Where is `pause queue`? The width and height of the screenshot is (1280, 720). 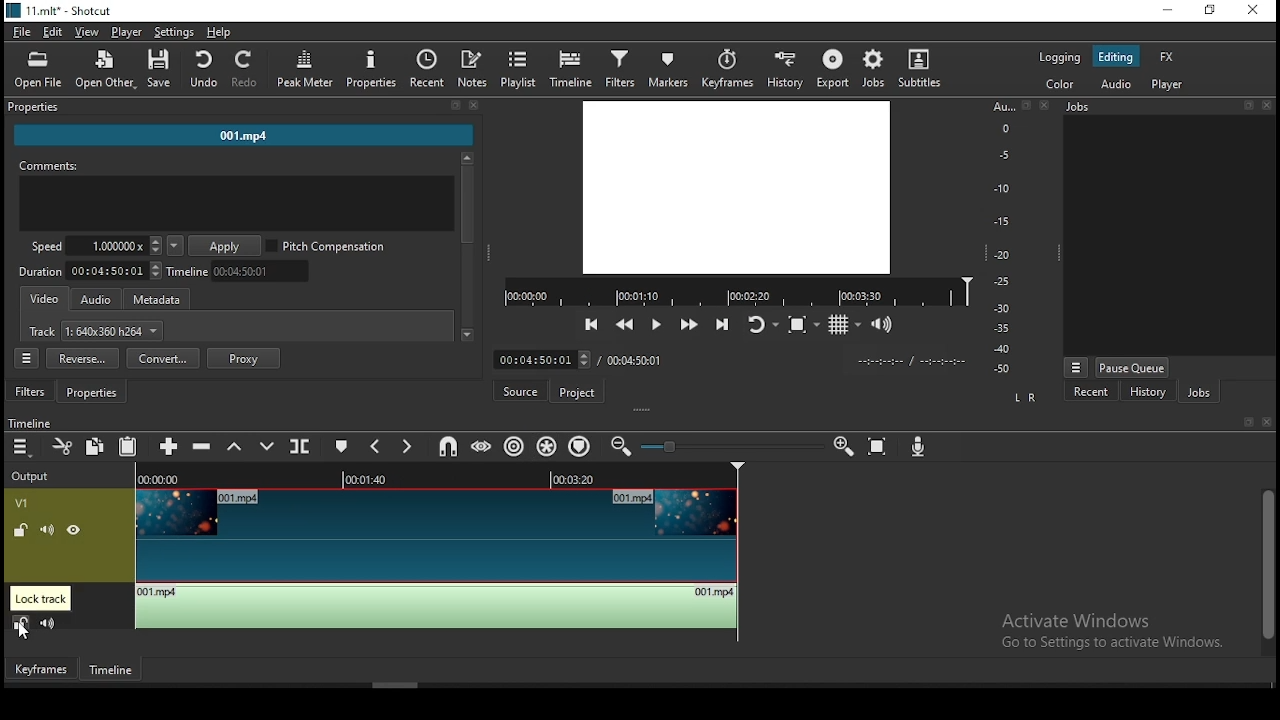 pause queue is located at coordinates (1132, 368).